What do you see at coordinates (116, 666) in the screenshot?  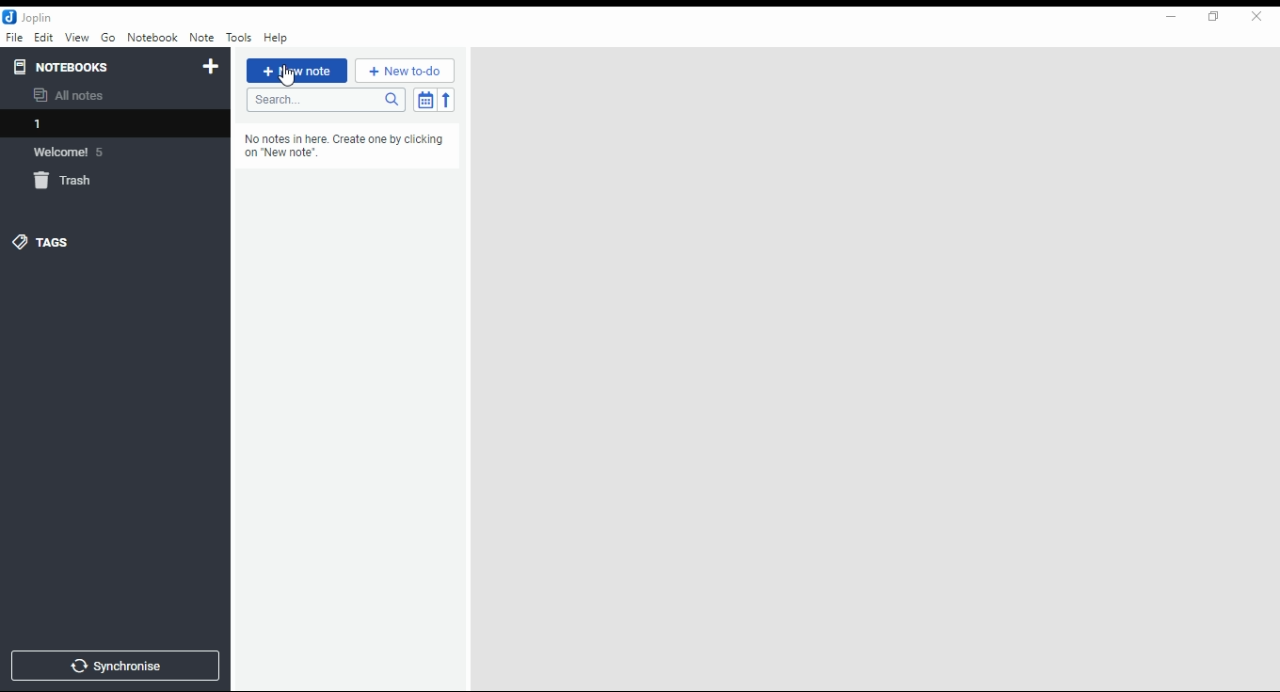 I see `synchronize` at bounding box center [116, 666].